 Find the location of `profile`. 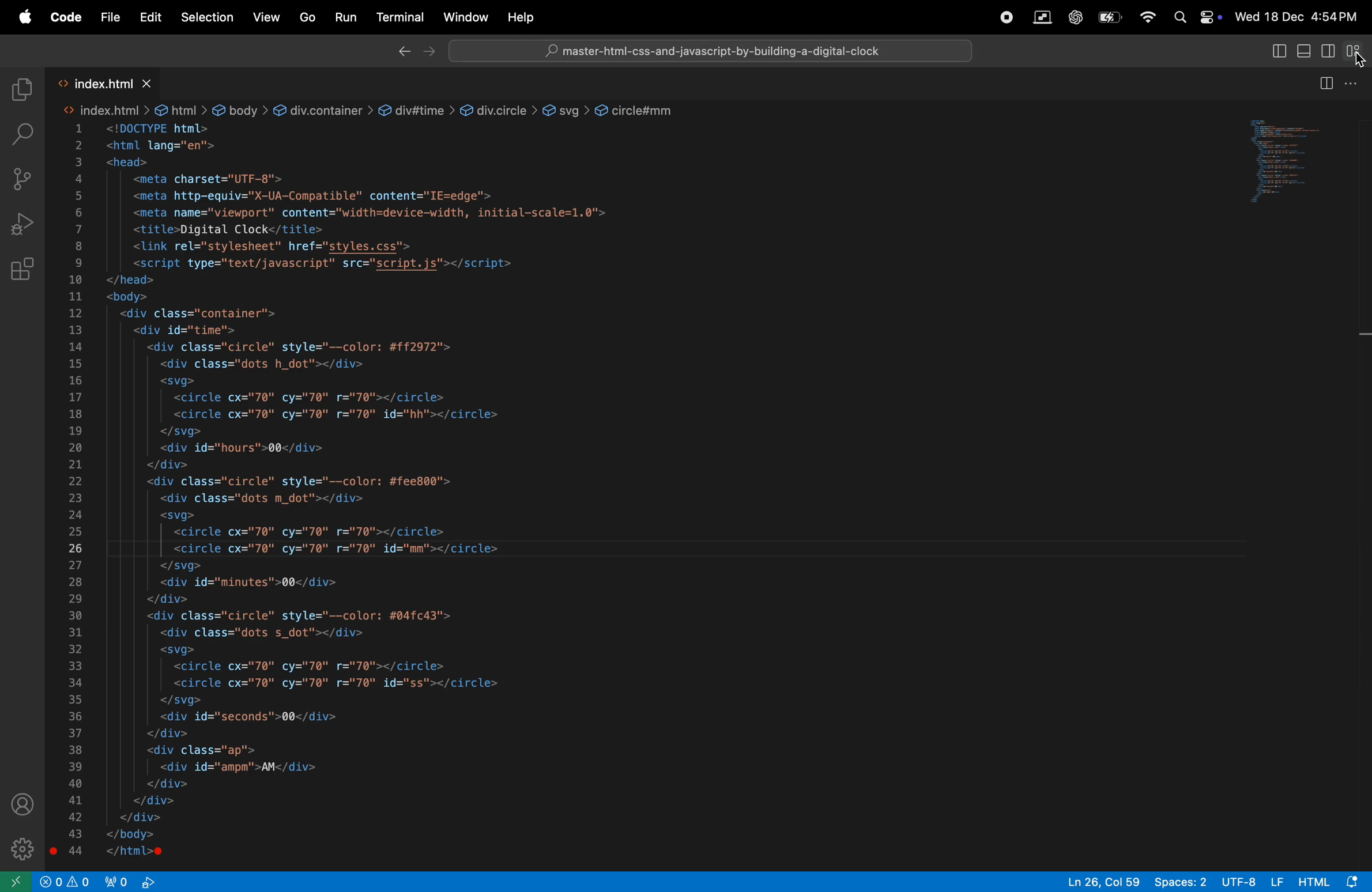

profile is located at coordinates (26, 806).